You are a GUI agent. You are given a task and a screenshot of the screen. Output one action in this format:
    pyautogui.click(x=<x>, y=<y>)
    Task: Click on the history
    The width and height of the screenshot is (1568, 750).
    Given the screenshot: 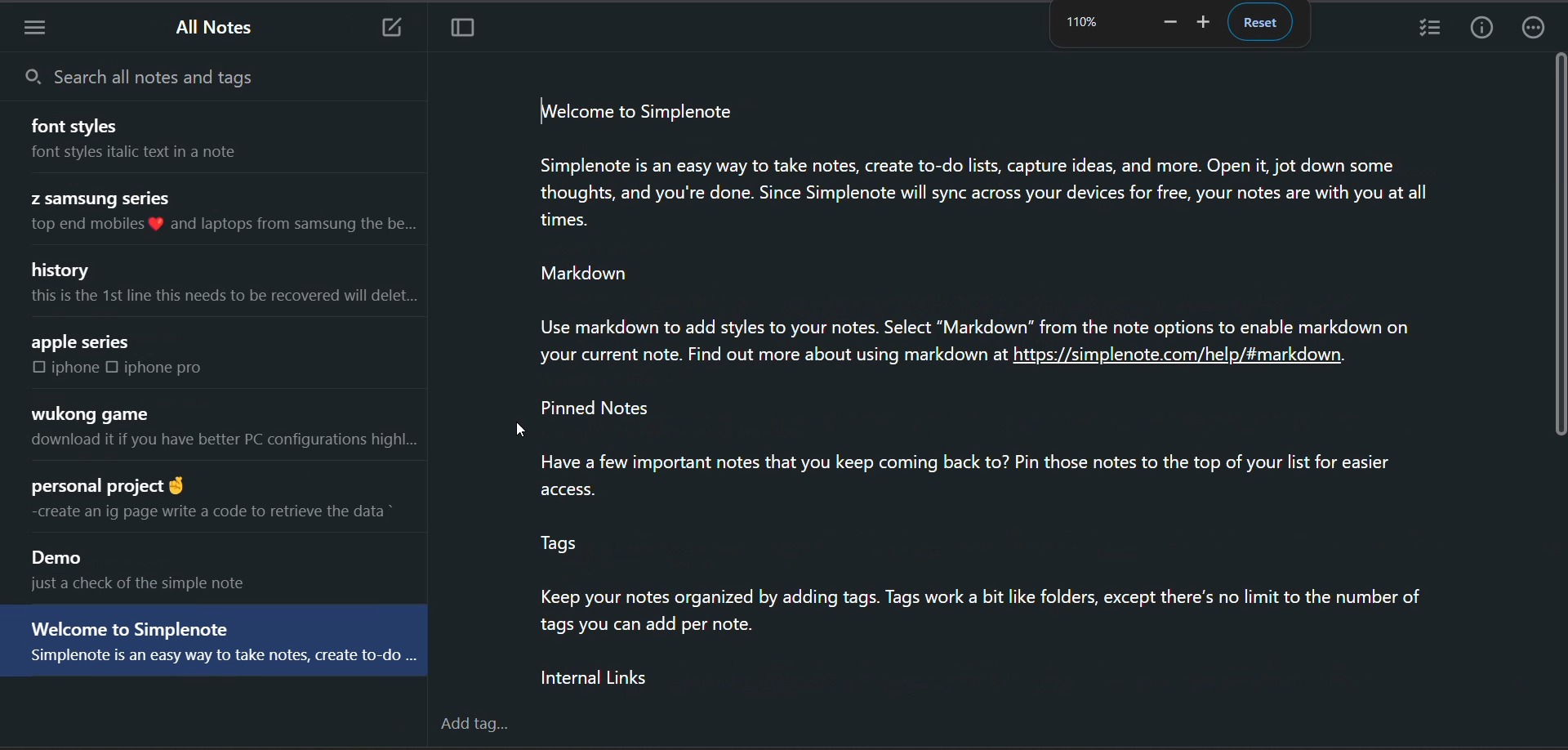 What is the action you would take?
    pyautogui.click(x=65, y=270)
    